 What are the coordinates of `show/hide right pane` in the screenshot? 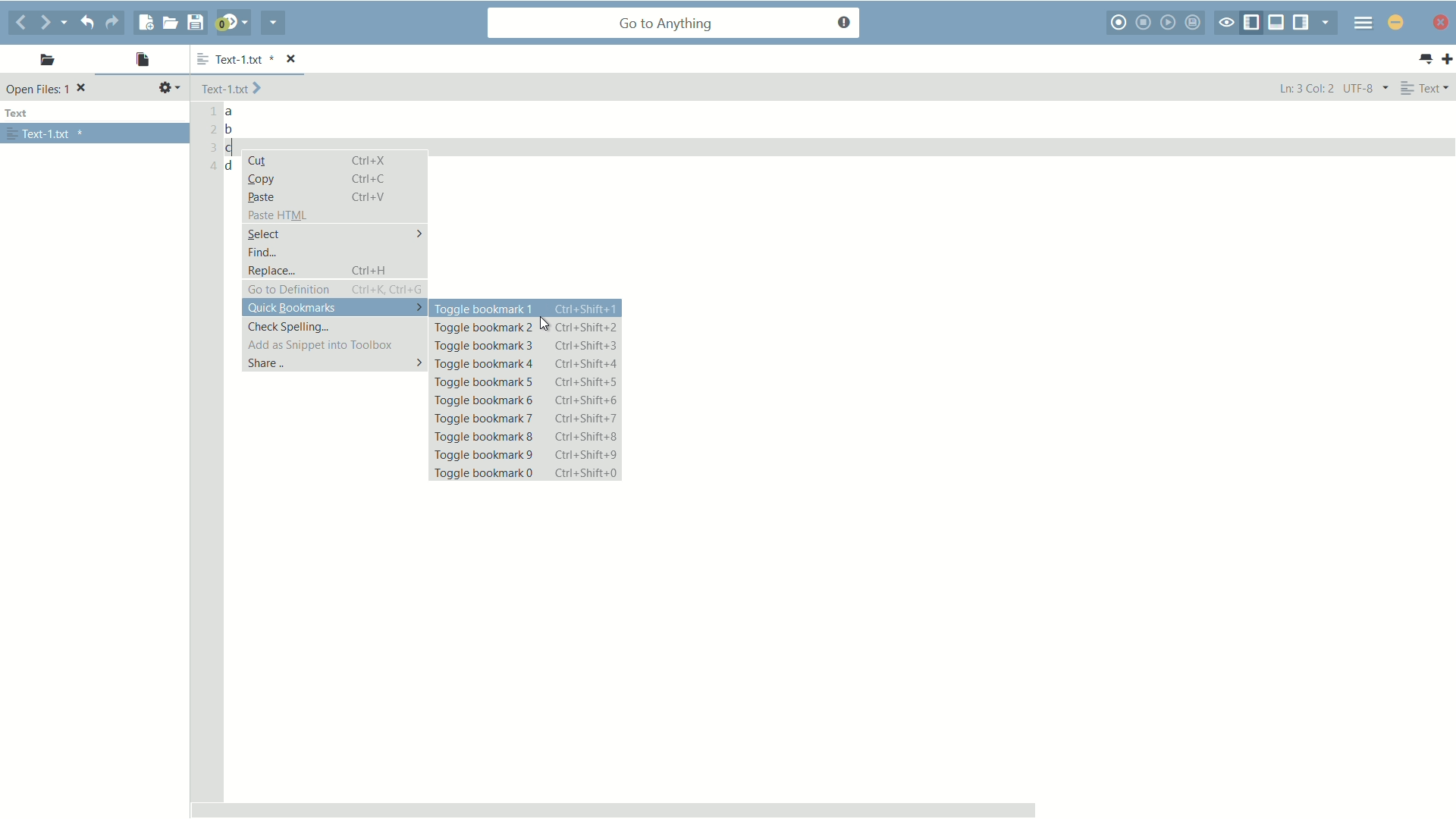 It's located at (1302, 22).